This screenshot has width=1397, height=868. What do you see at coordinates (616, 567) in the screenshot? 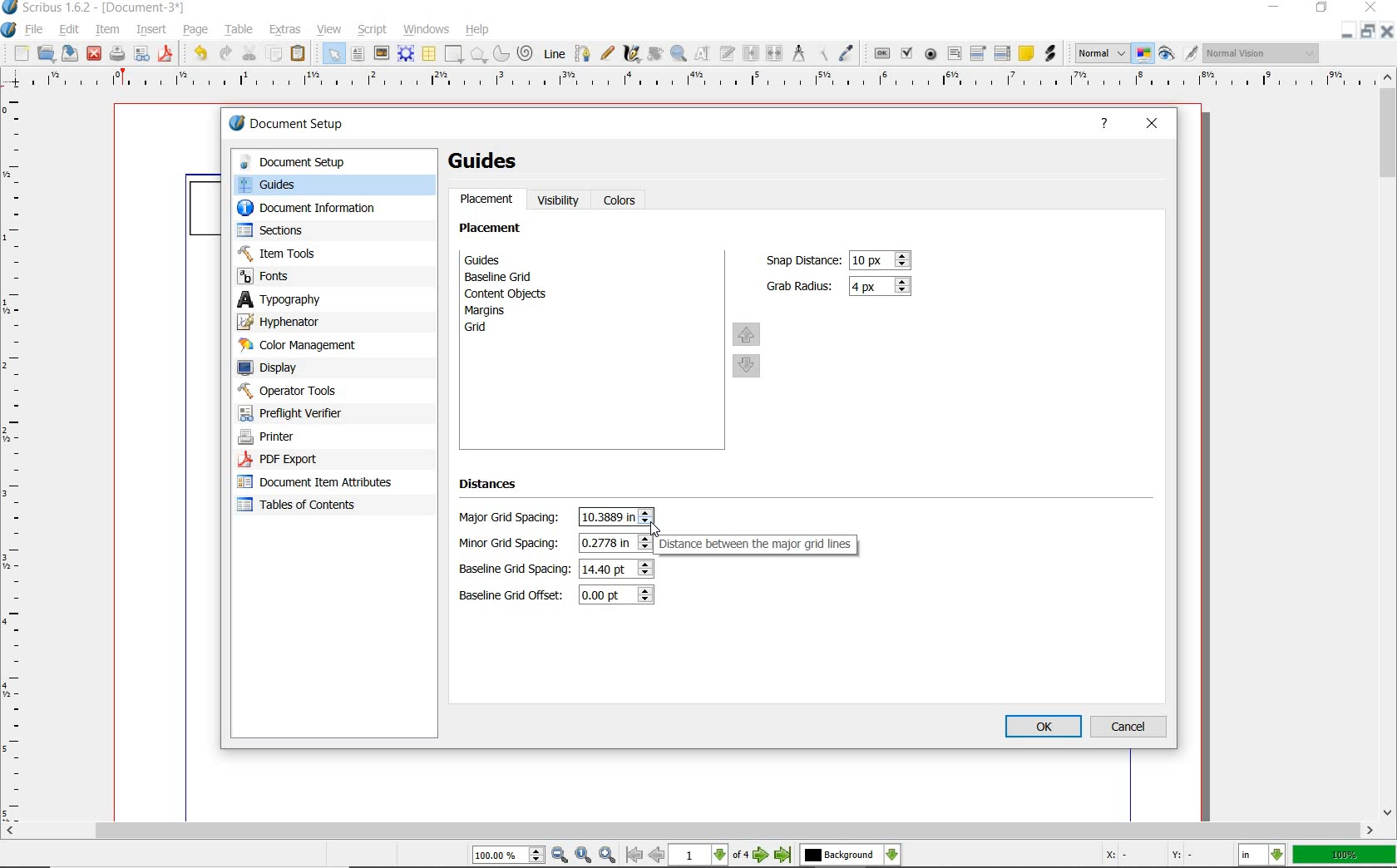
I see `Baseline Grid Spacing` at bounding box center [616, 567].